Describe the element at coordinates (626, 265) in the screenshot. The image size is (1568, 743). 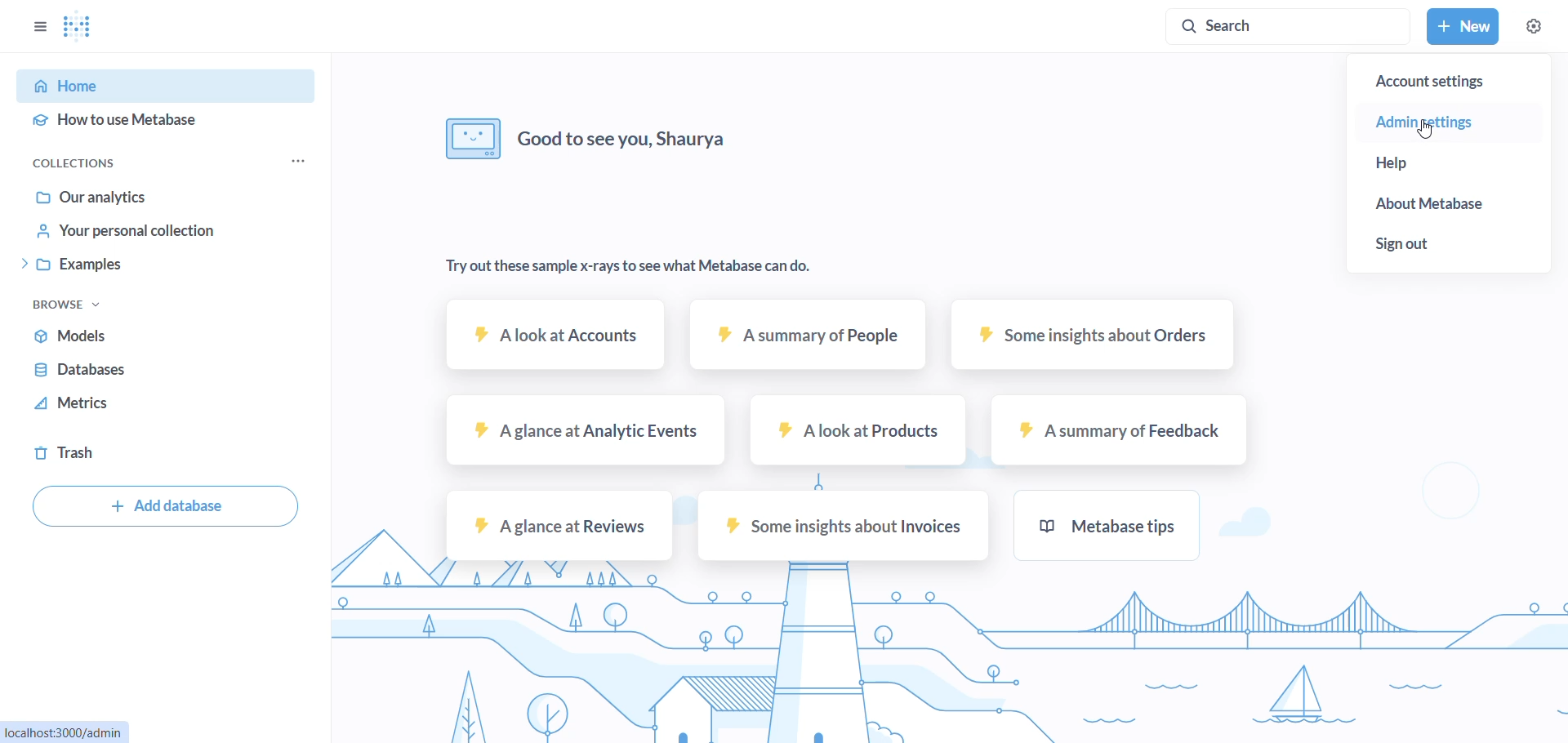
I see `Try out these sample x-rays to see what Metabase can do.` at that location.